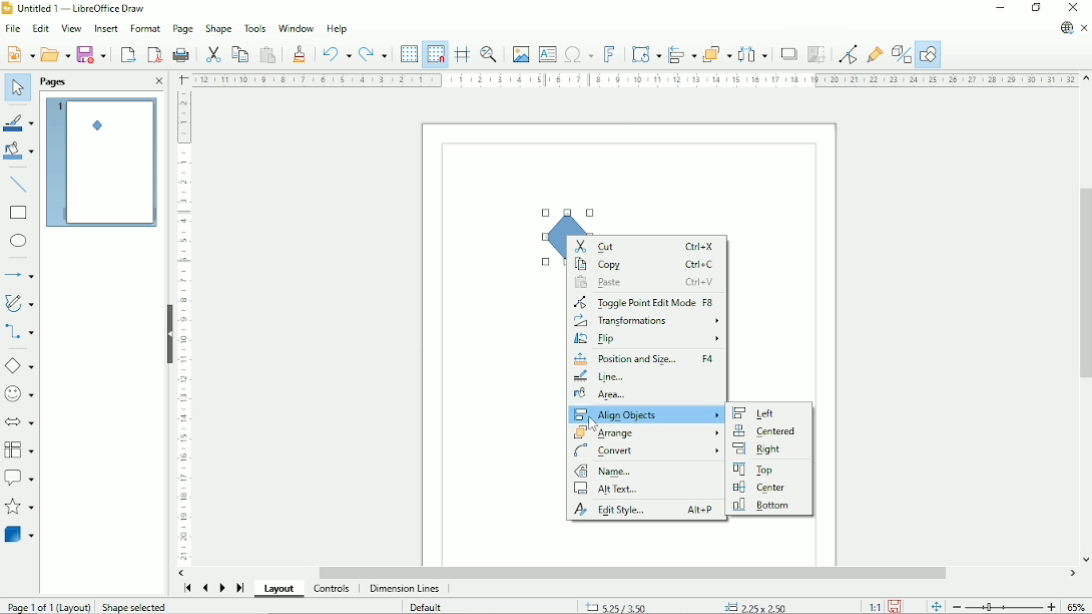 The image size is (1092, 614). I want to click on Horizontal scrollbar, so click(630, 573).